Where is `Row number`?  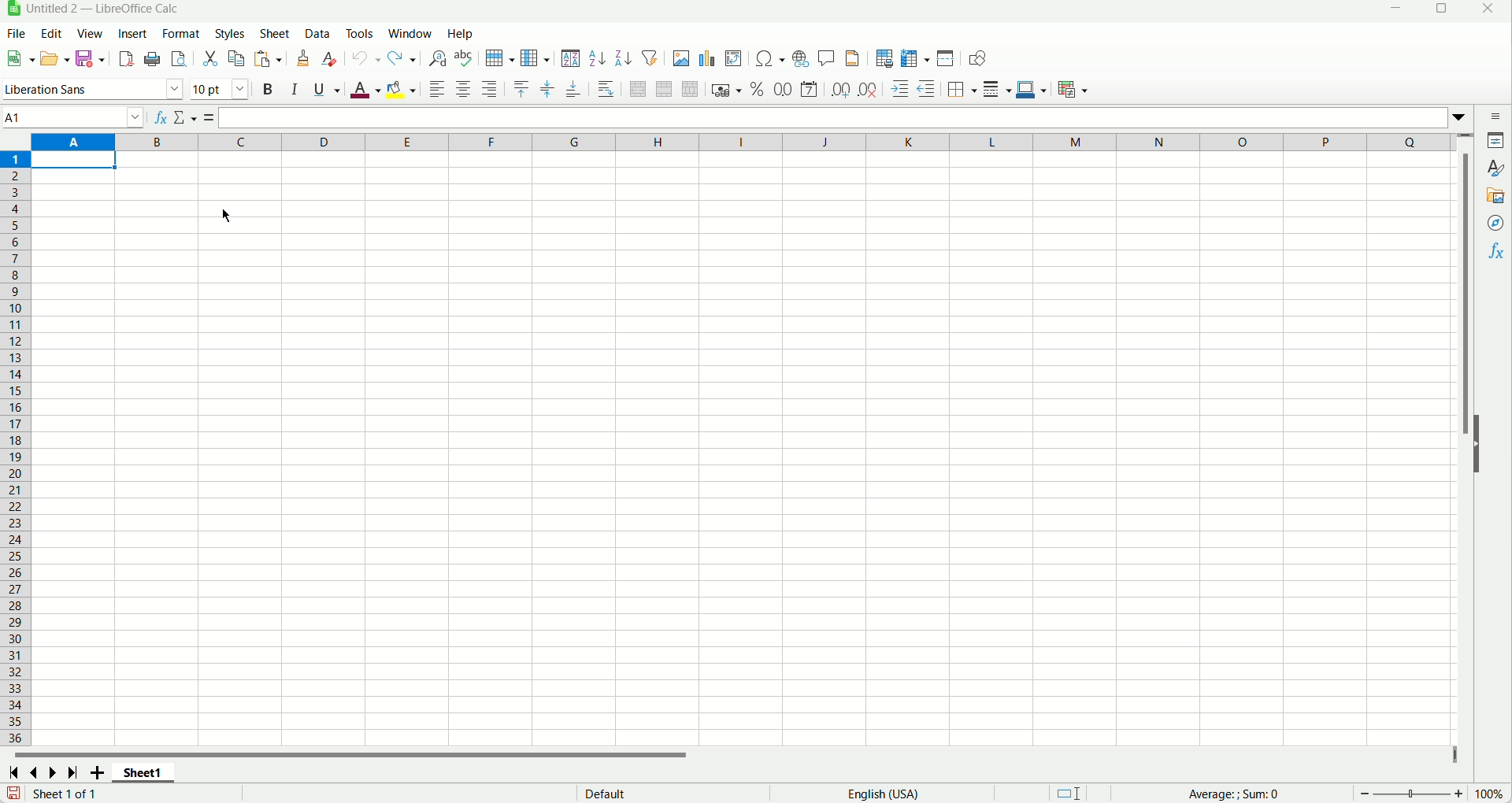
Row number is located at coordinates (16, 447).